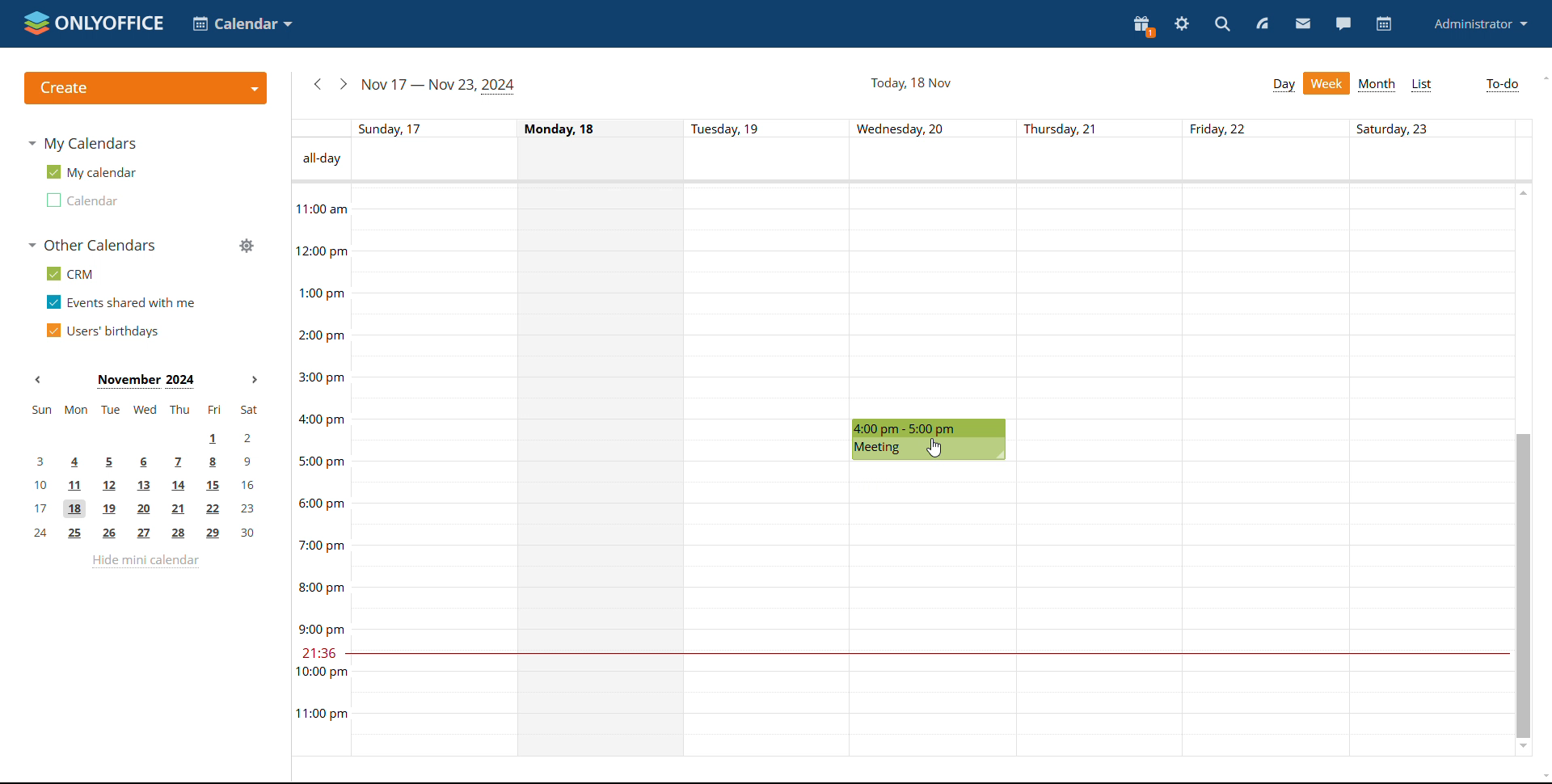 This screenshot has height=784, width=1552. What do you see at coordinates (926, 654) in the screenshot?
I see `current time` at bounding box center [926, 654].